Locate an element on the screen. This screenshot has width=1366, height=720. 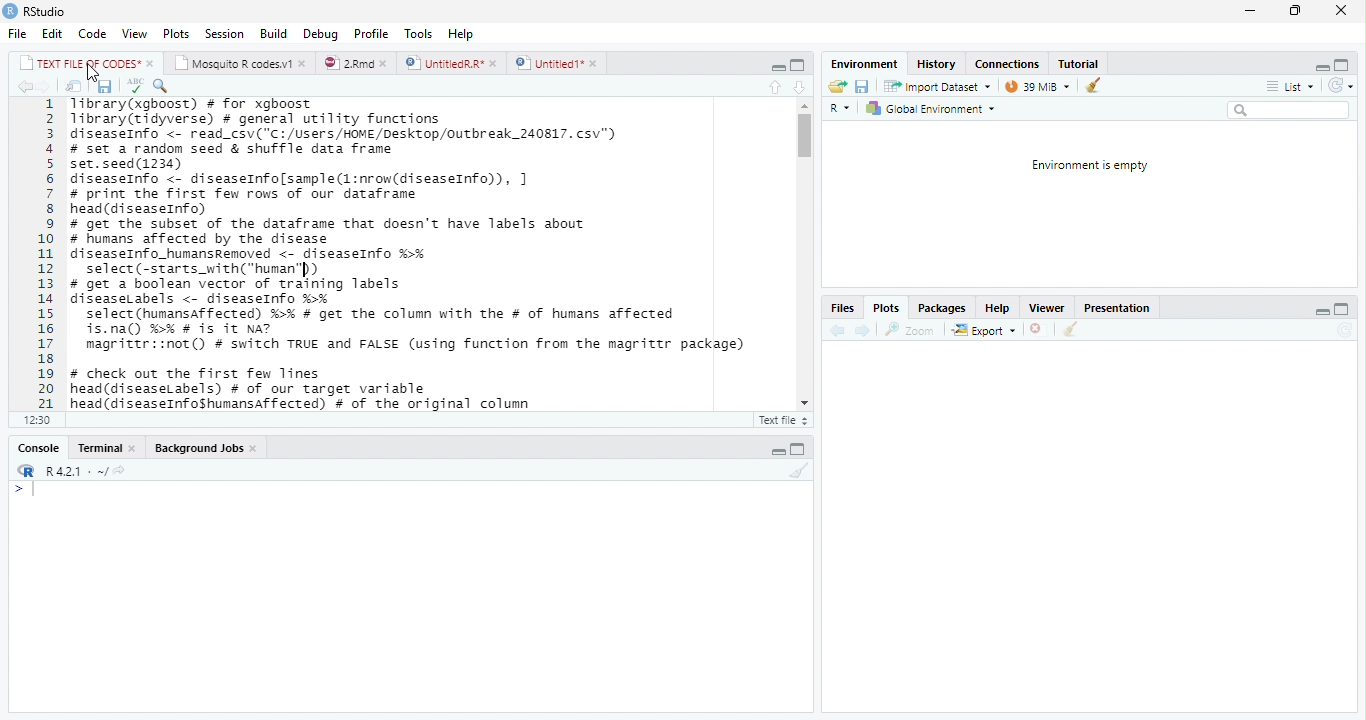
Edit is located at coordinates (50, 33).